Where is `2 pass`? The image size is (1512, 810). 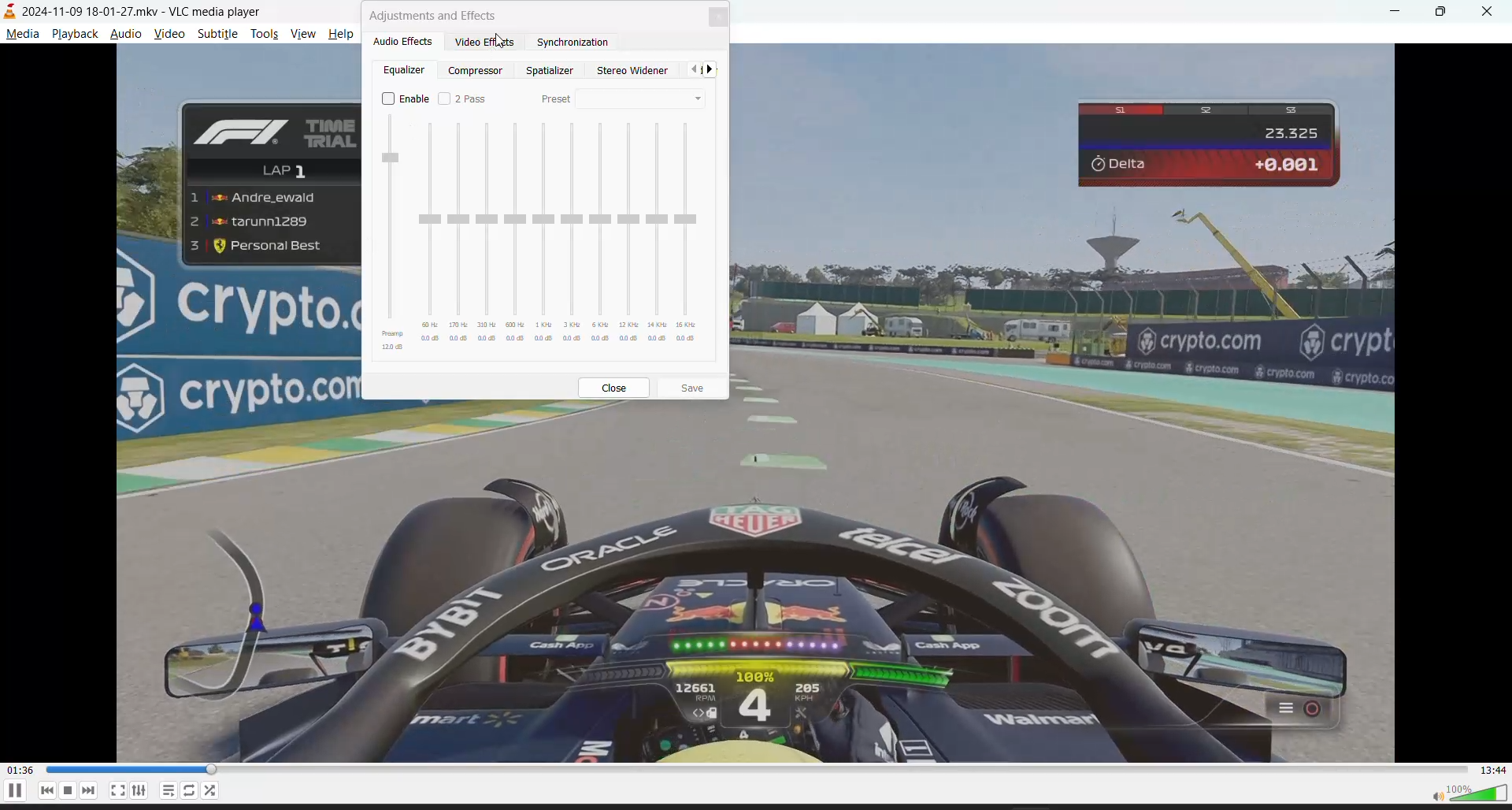
2 pass is located at coordinates (463, 97).